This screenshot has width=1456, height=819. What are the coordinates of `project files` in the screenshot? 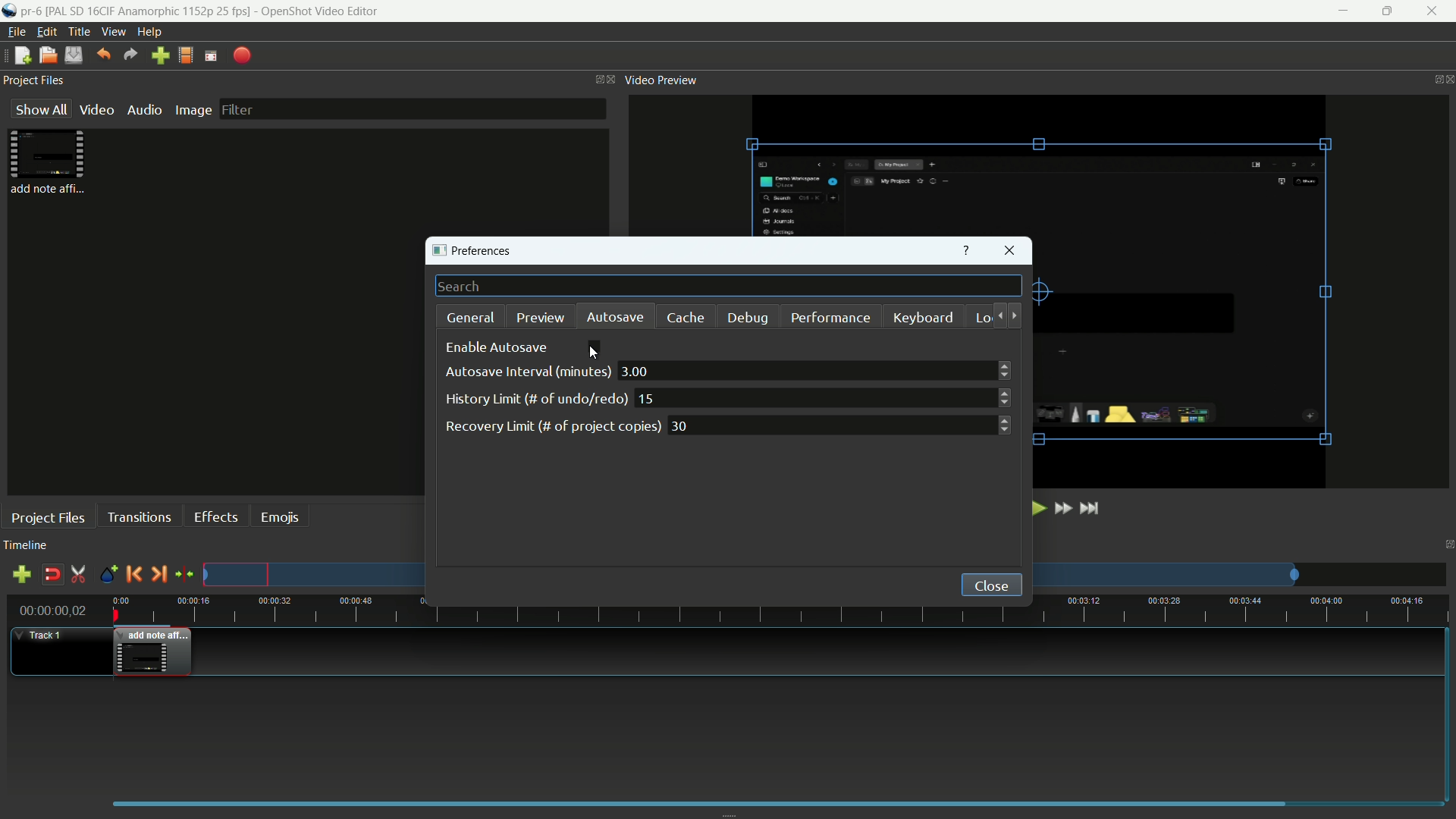 It's located at (48, 516).